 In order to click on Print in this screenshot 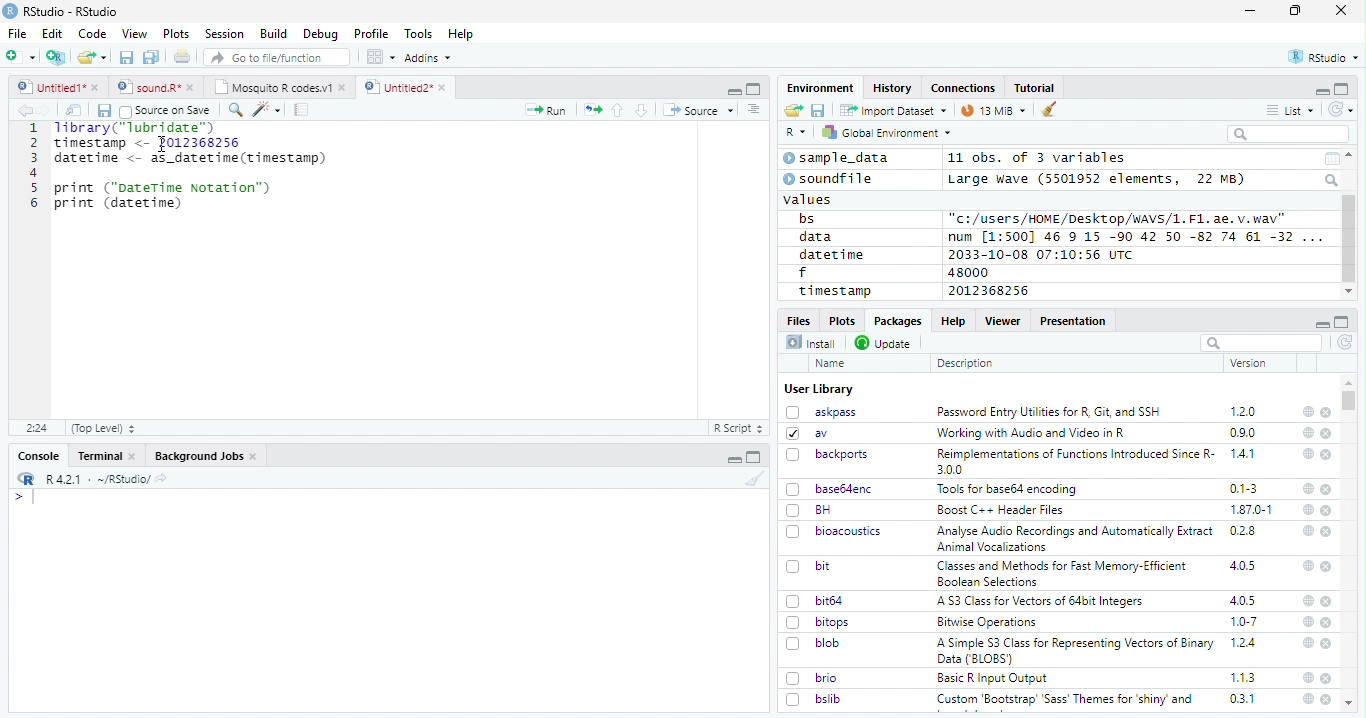, I will do `click(183, 56)`.